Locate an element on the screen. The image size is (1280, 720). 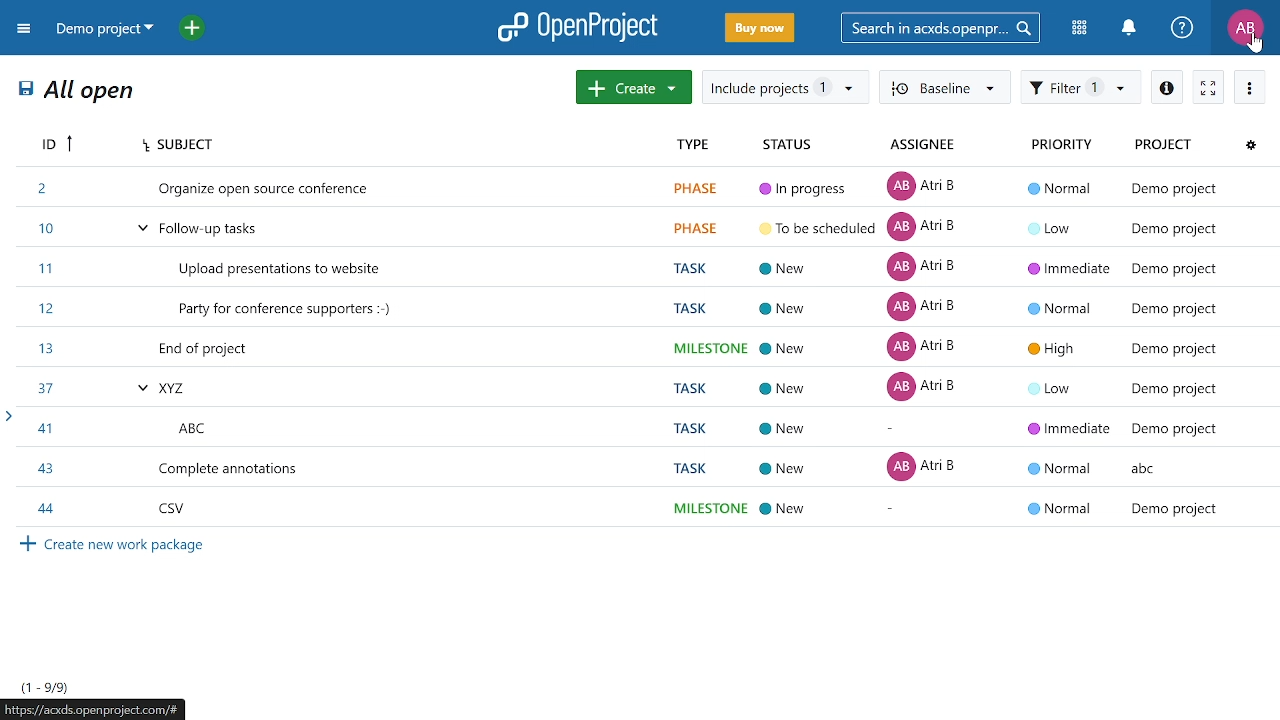
Create new work package is located at coordinates (117, 546).